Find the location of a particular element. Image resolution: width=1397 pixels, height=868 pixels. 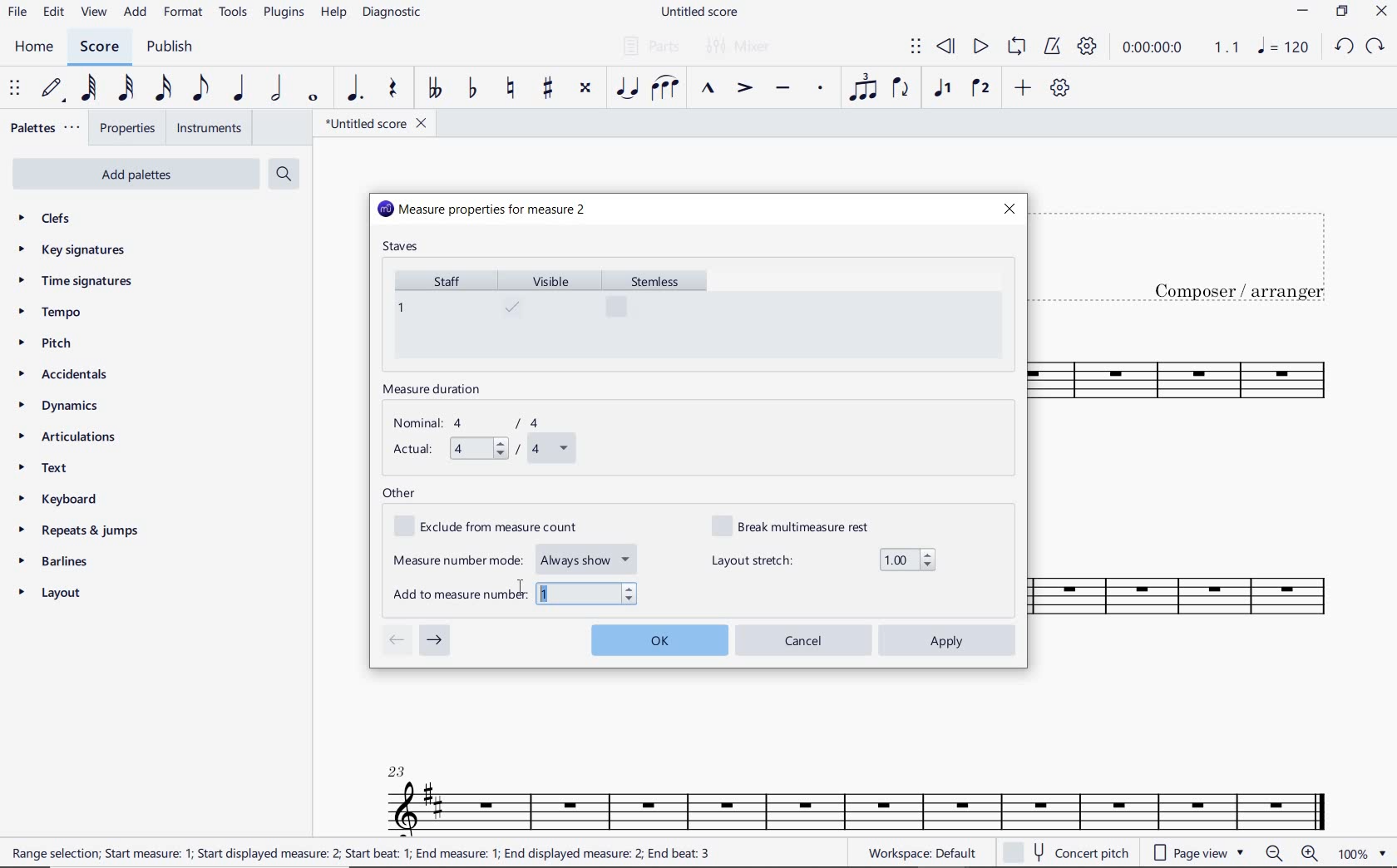

add to measure number is located at coordinates (515, 592).